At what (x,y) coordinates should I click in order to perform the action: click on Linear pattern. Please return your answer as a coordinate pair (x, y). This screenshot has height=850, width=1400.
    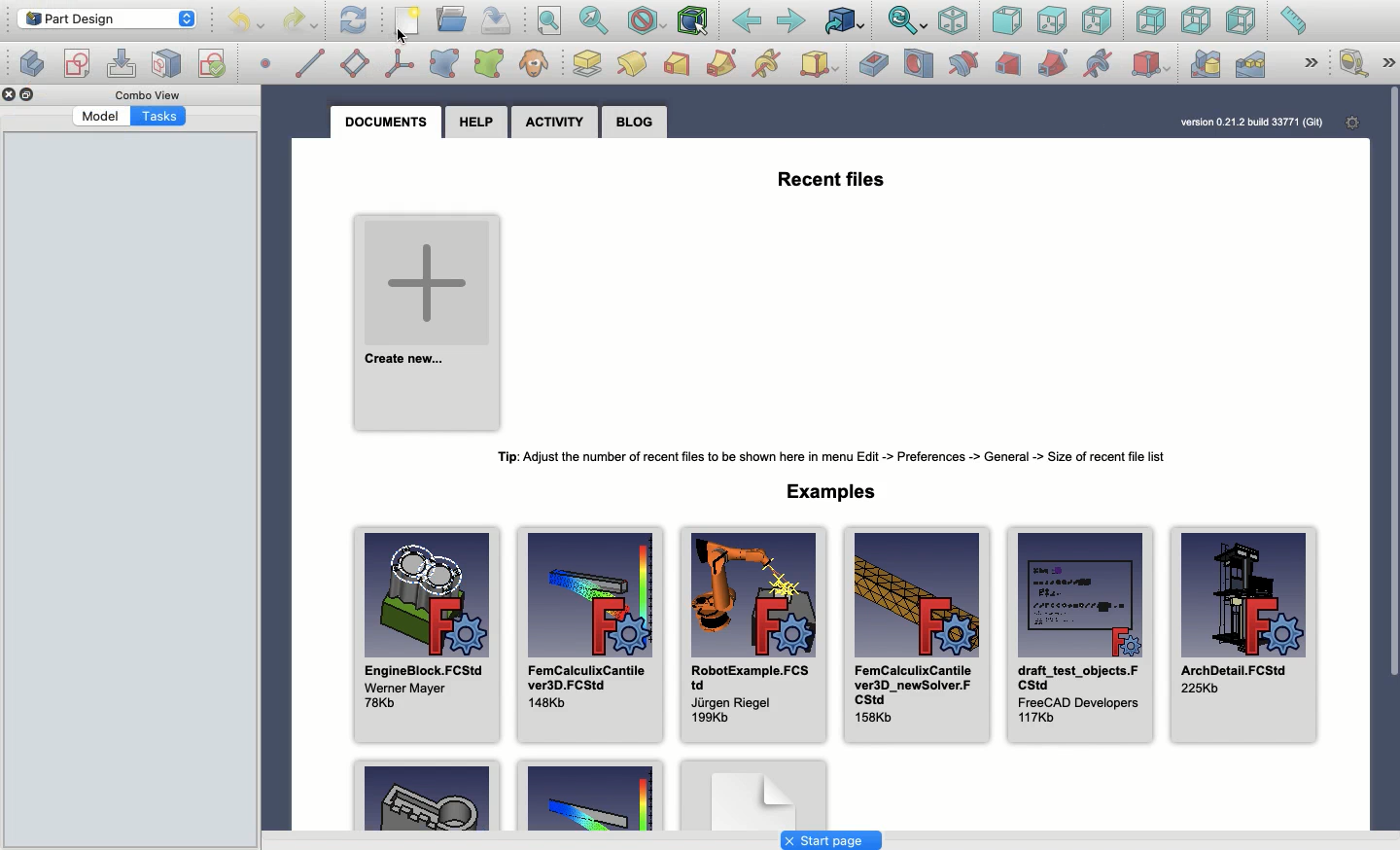
    Looking at the image, I should click on (1248, 64).